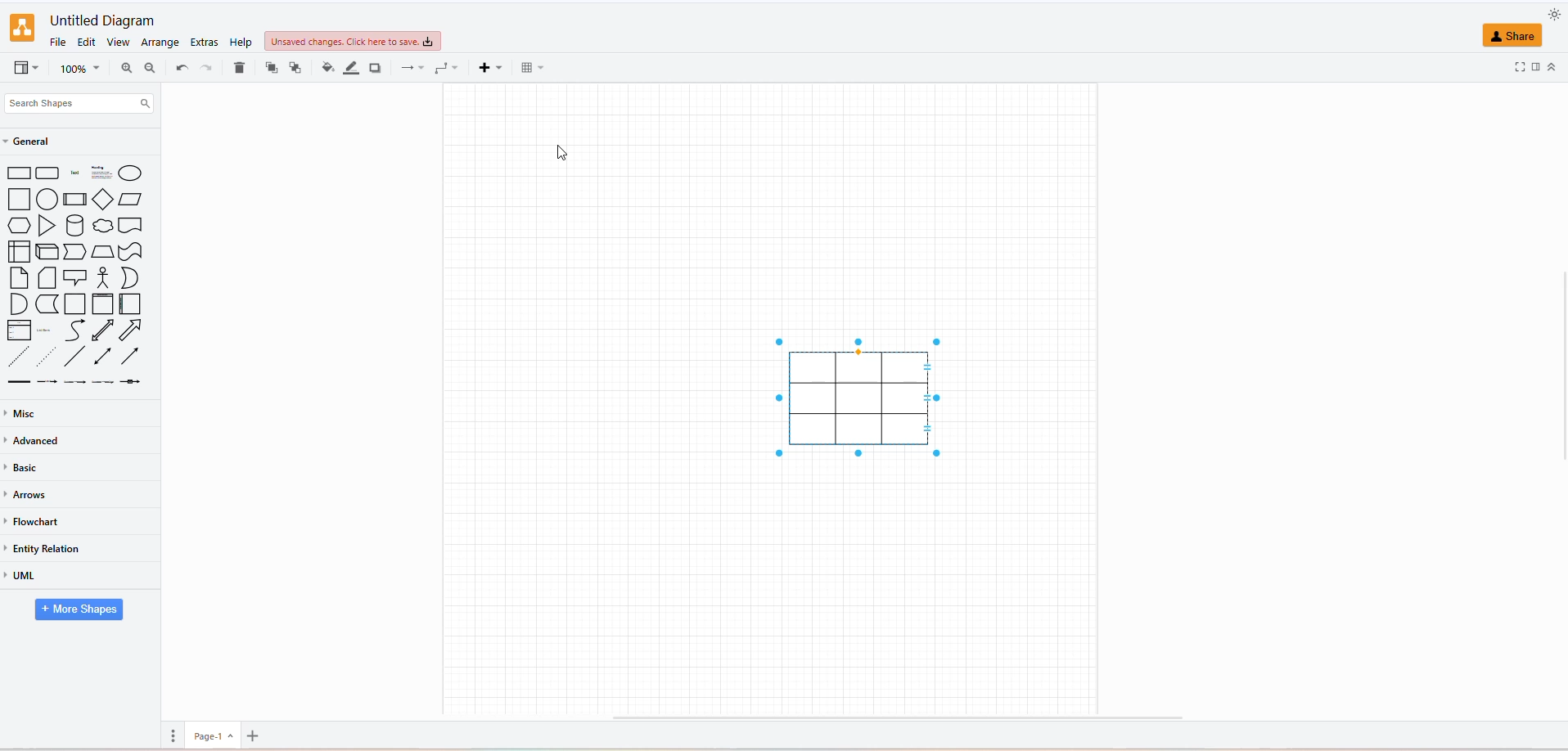 The image size is (1568, 751). I want to click on uml, so click(25, 579).